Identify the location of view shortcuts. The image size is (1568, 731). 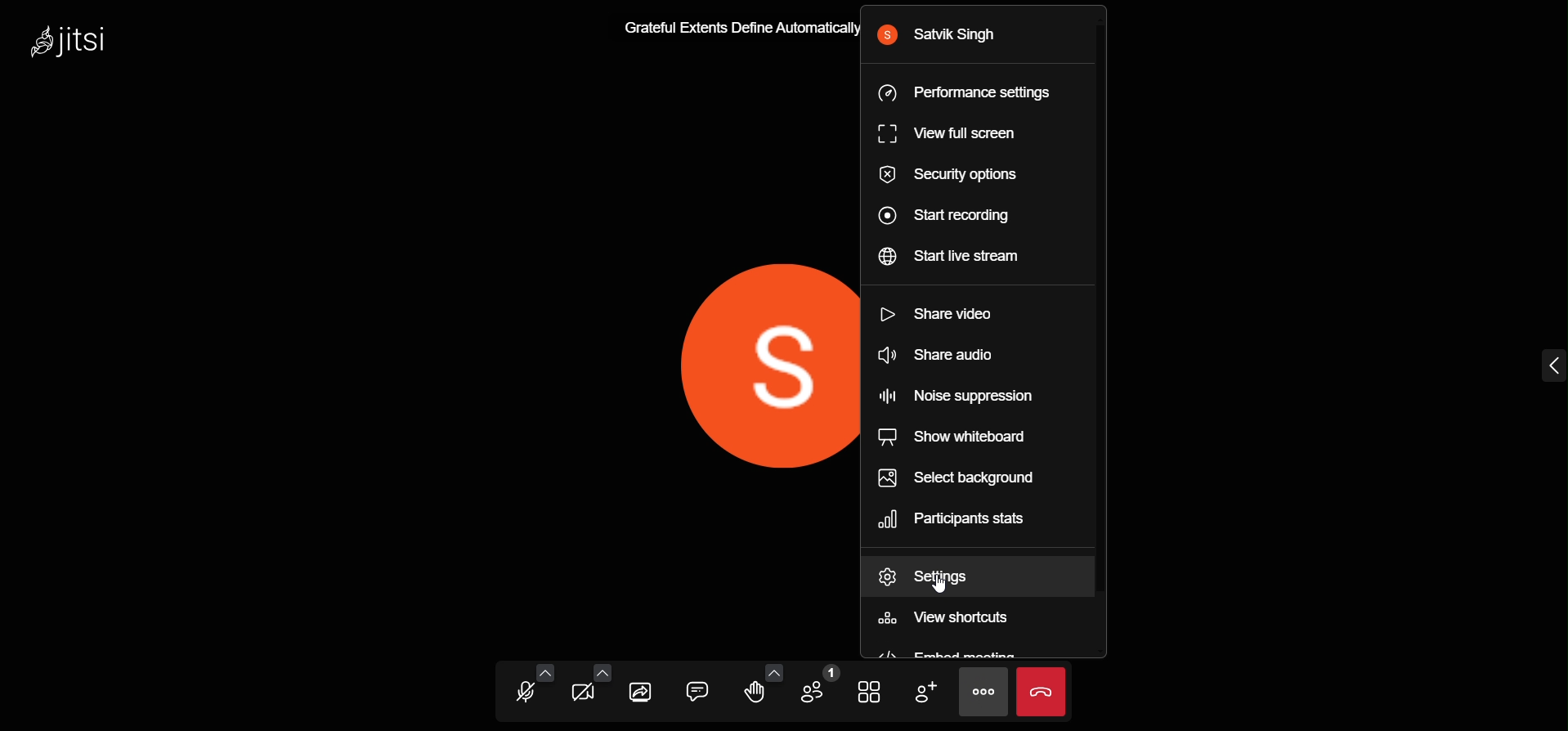
(952, 617).